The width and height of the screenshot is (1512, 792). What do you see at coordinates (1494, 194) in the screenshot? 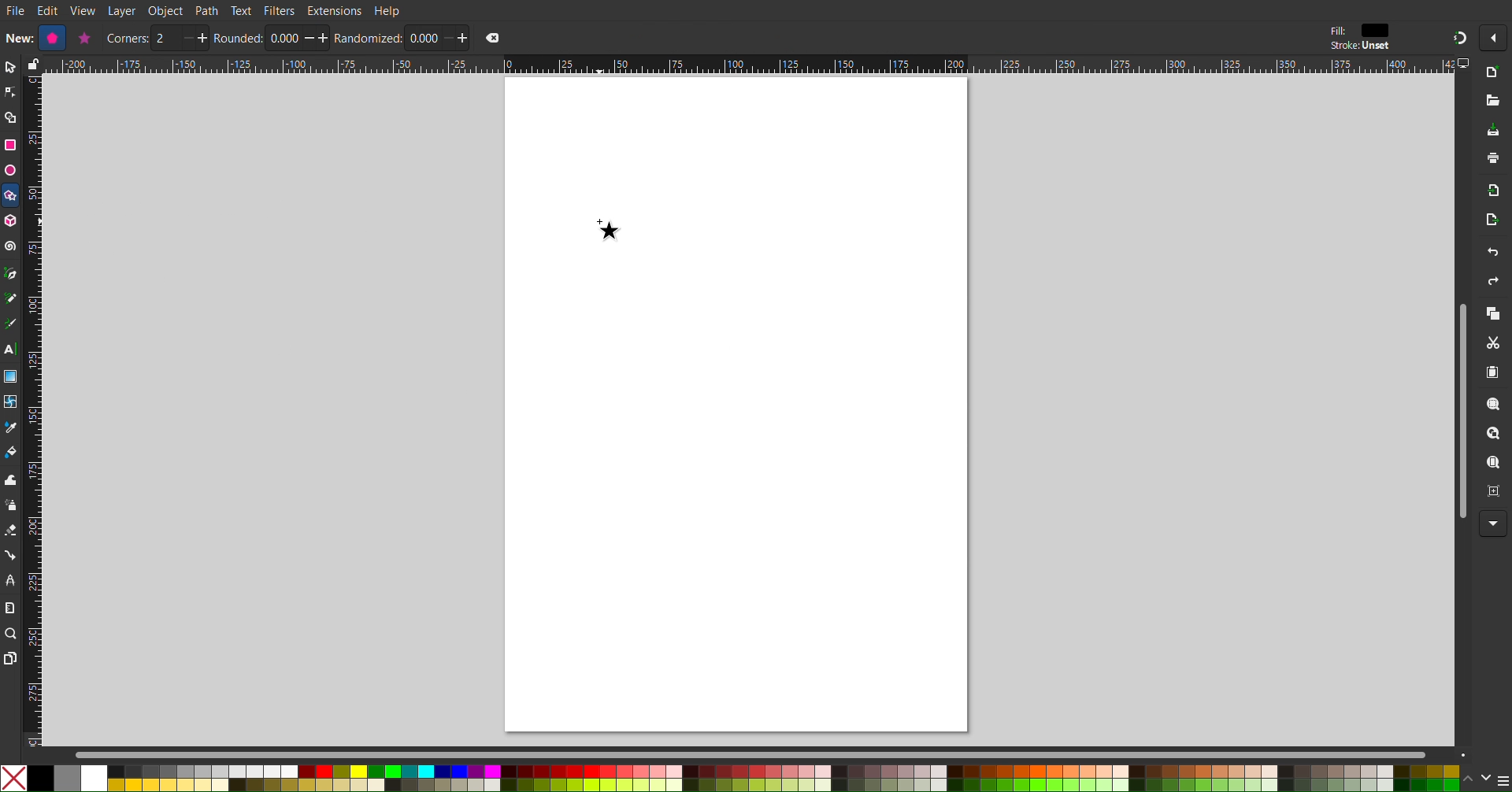
I see `Import Bitmap` at bounding box center [1494, 194].